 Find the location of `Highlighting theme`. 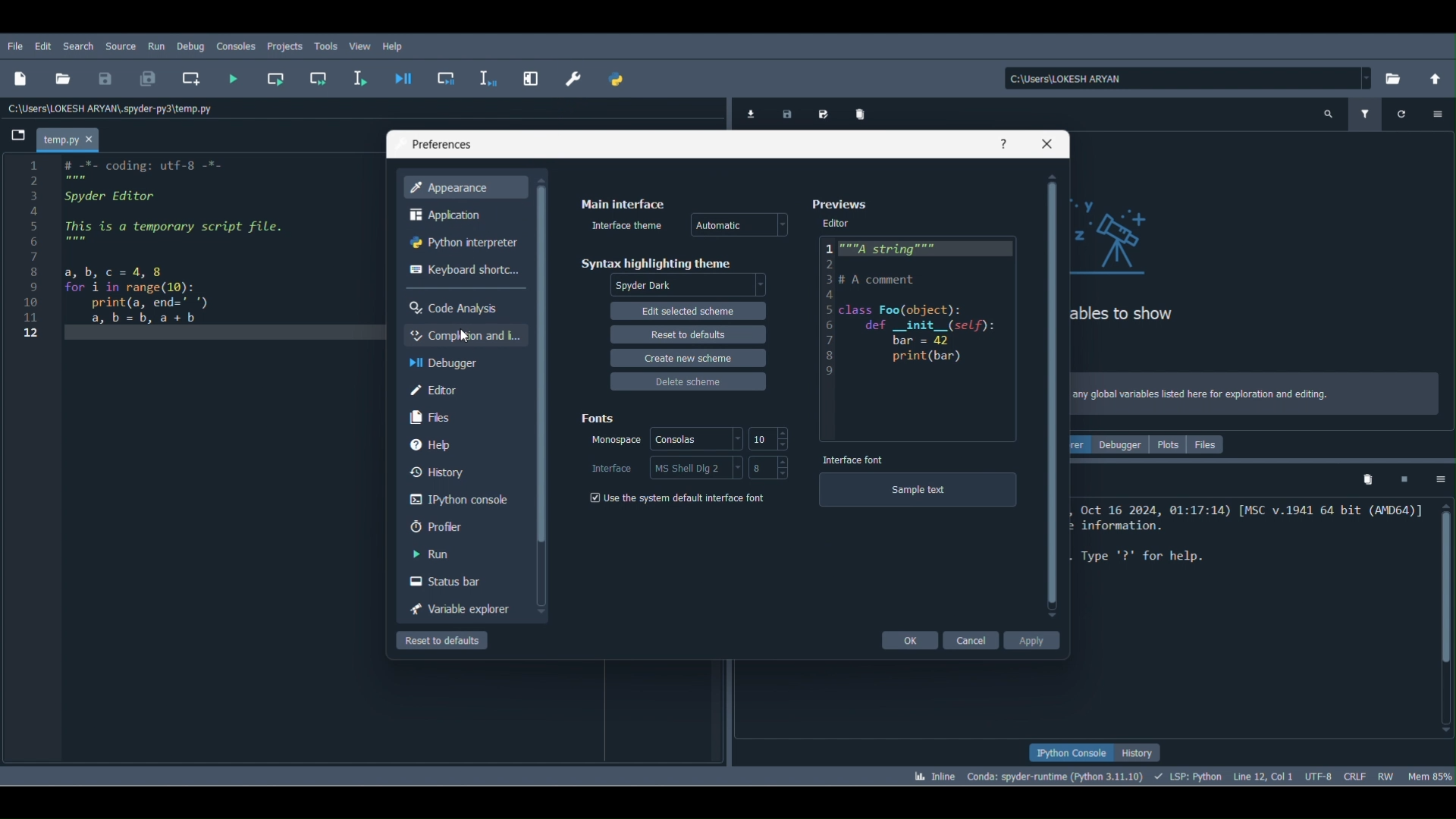

Highlighting theme is located at coordinates (695, 287).